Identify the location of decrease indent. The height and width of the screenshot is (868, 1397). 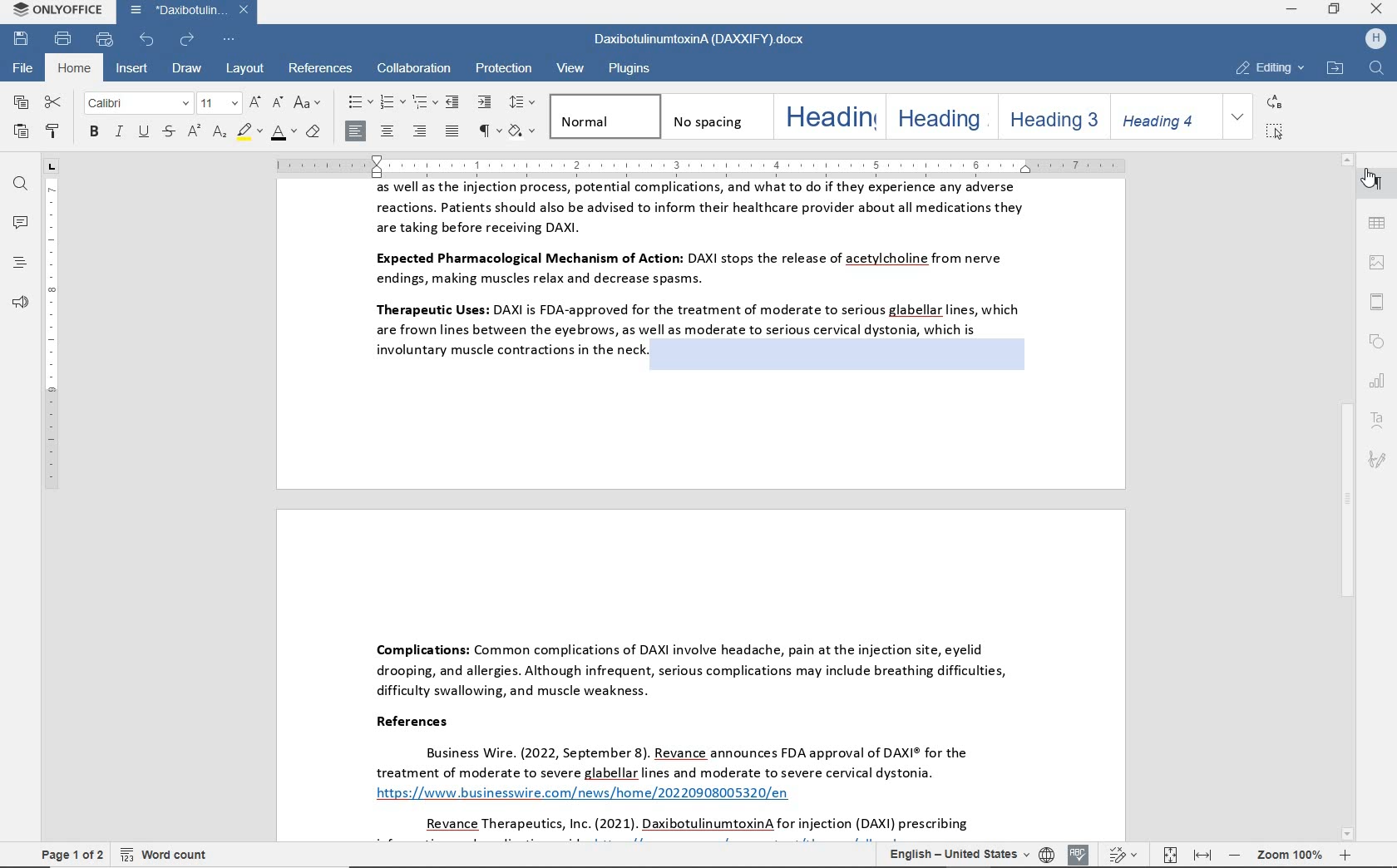
(455, 101).